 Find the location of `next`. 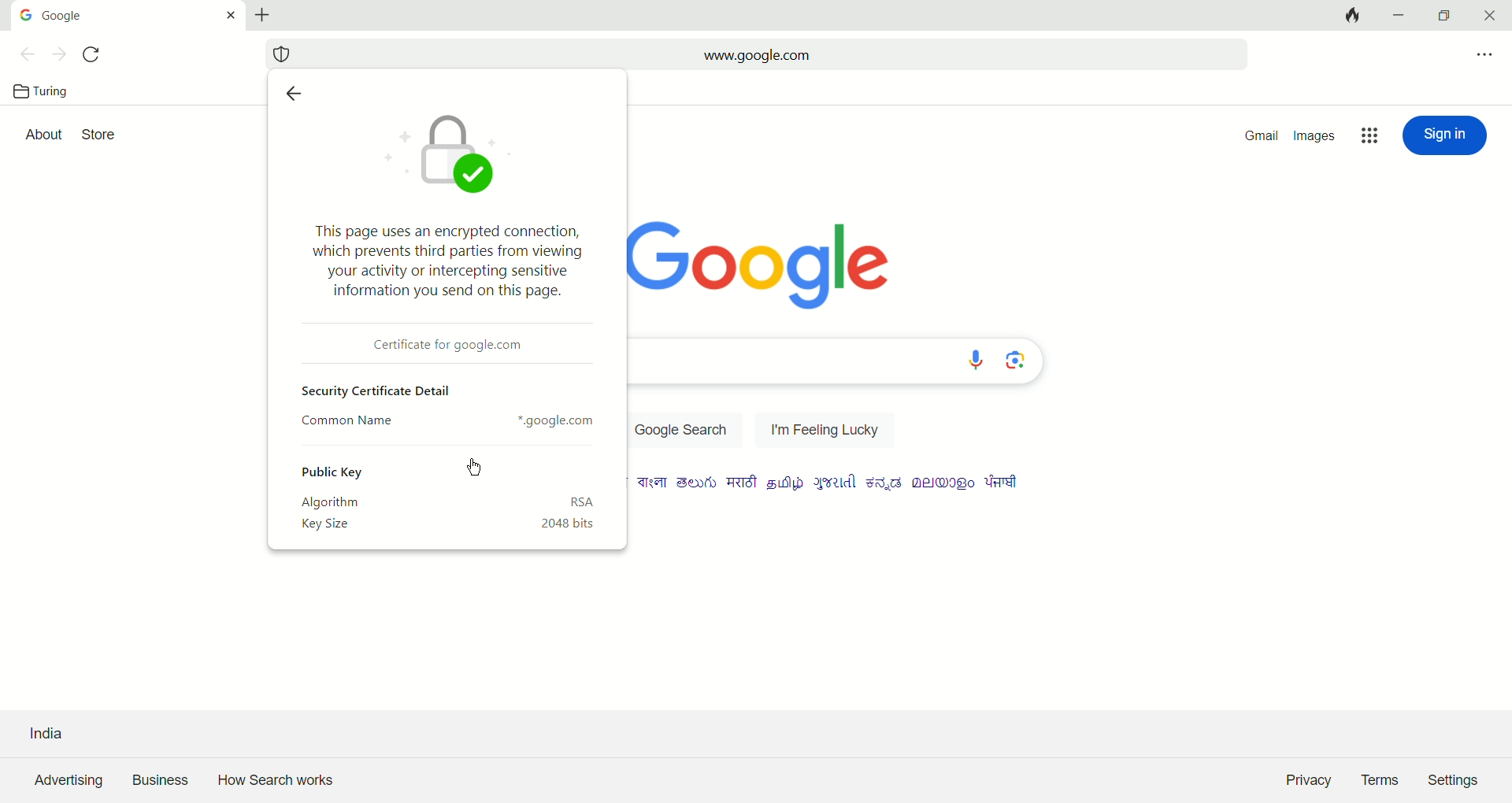

next is located at coordinates (56, 56).